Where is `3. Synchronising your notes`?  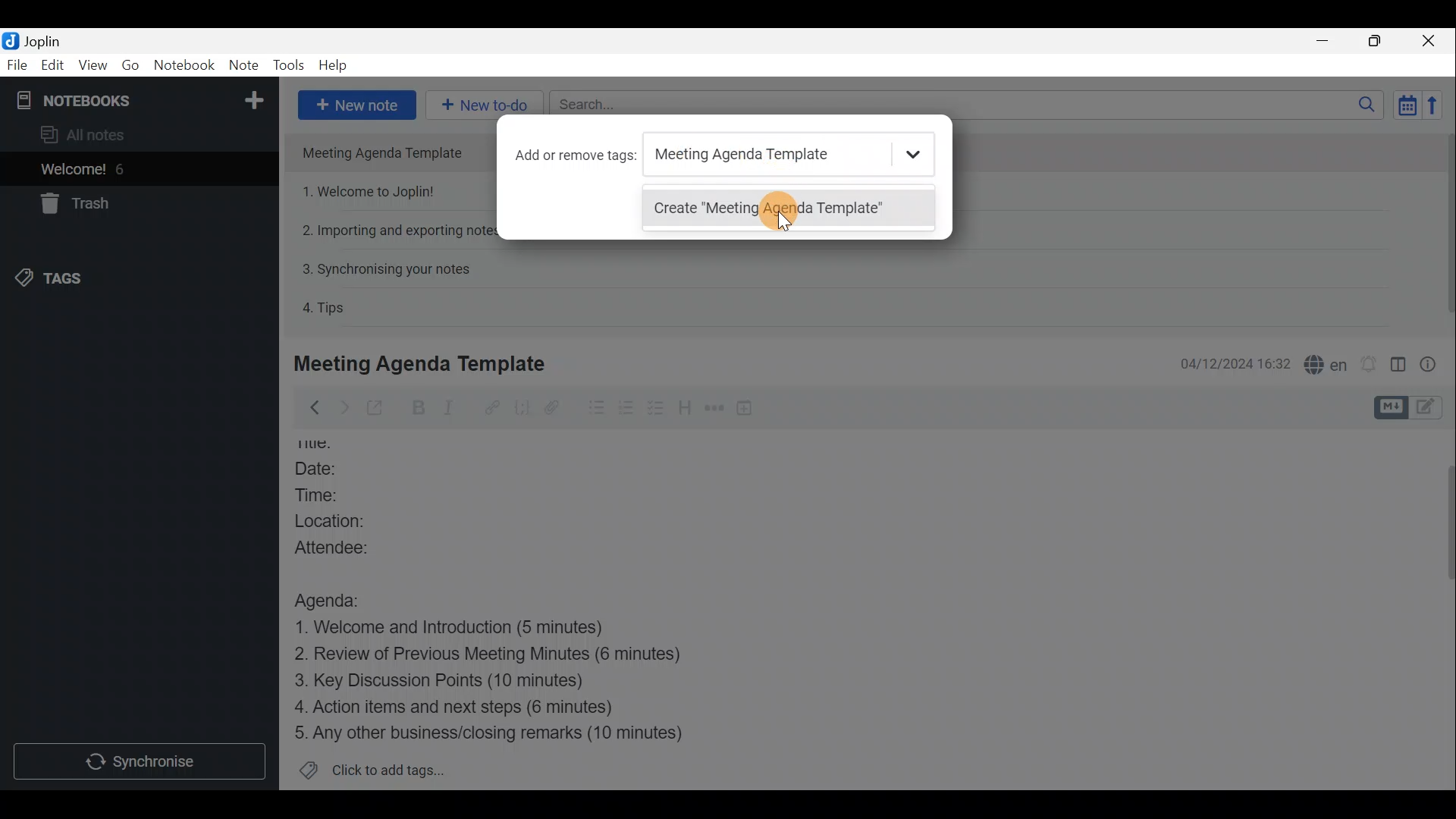 3. Synchronising your notes is located at coordinates (386, 268).